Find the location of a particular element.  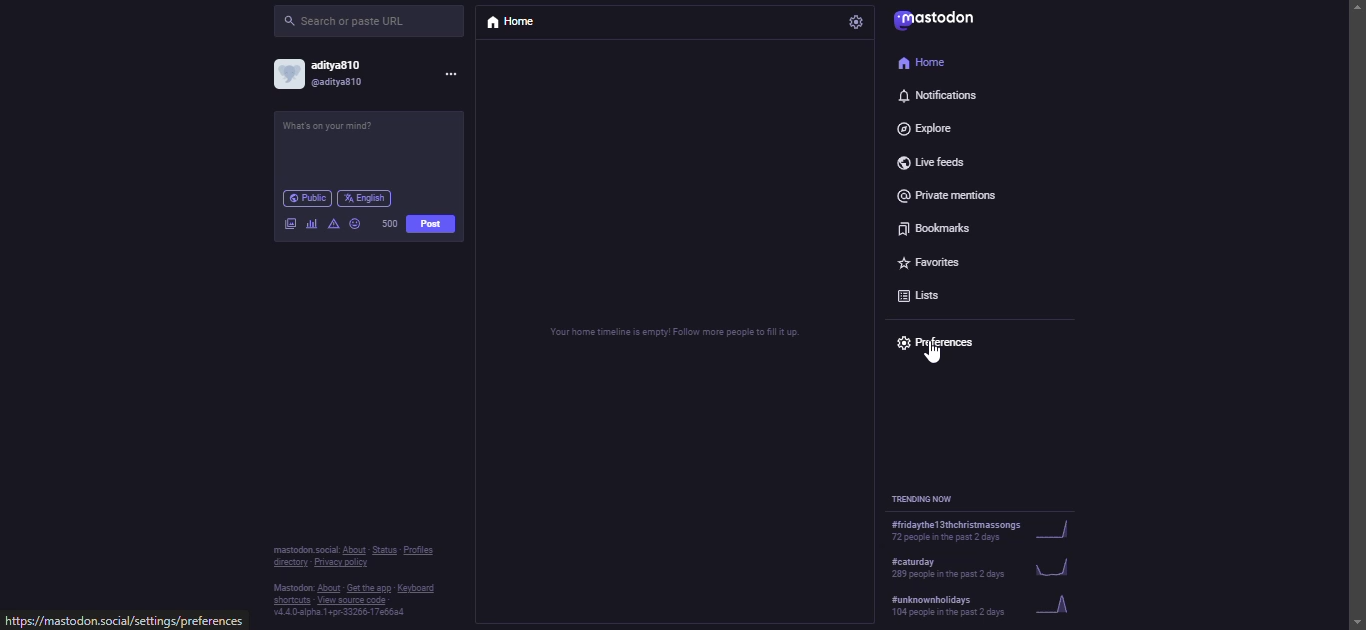

advanced is located at coordinates (333, 223).